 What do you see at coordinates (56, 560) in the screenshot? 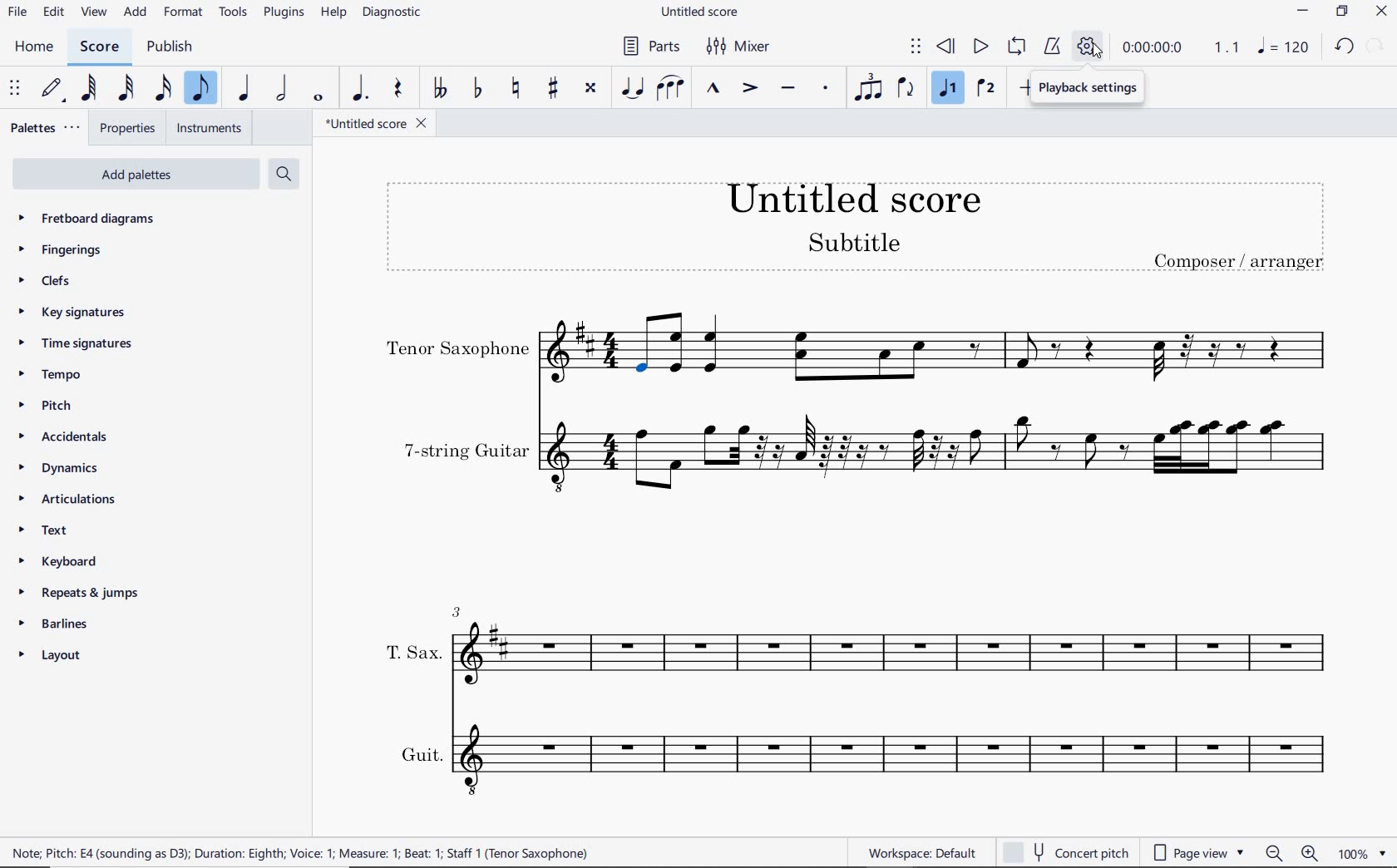
I see `KEYBOARD` at bounding box center [56, 560].